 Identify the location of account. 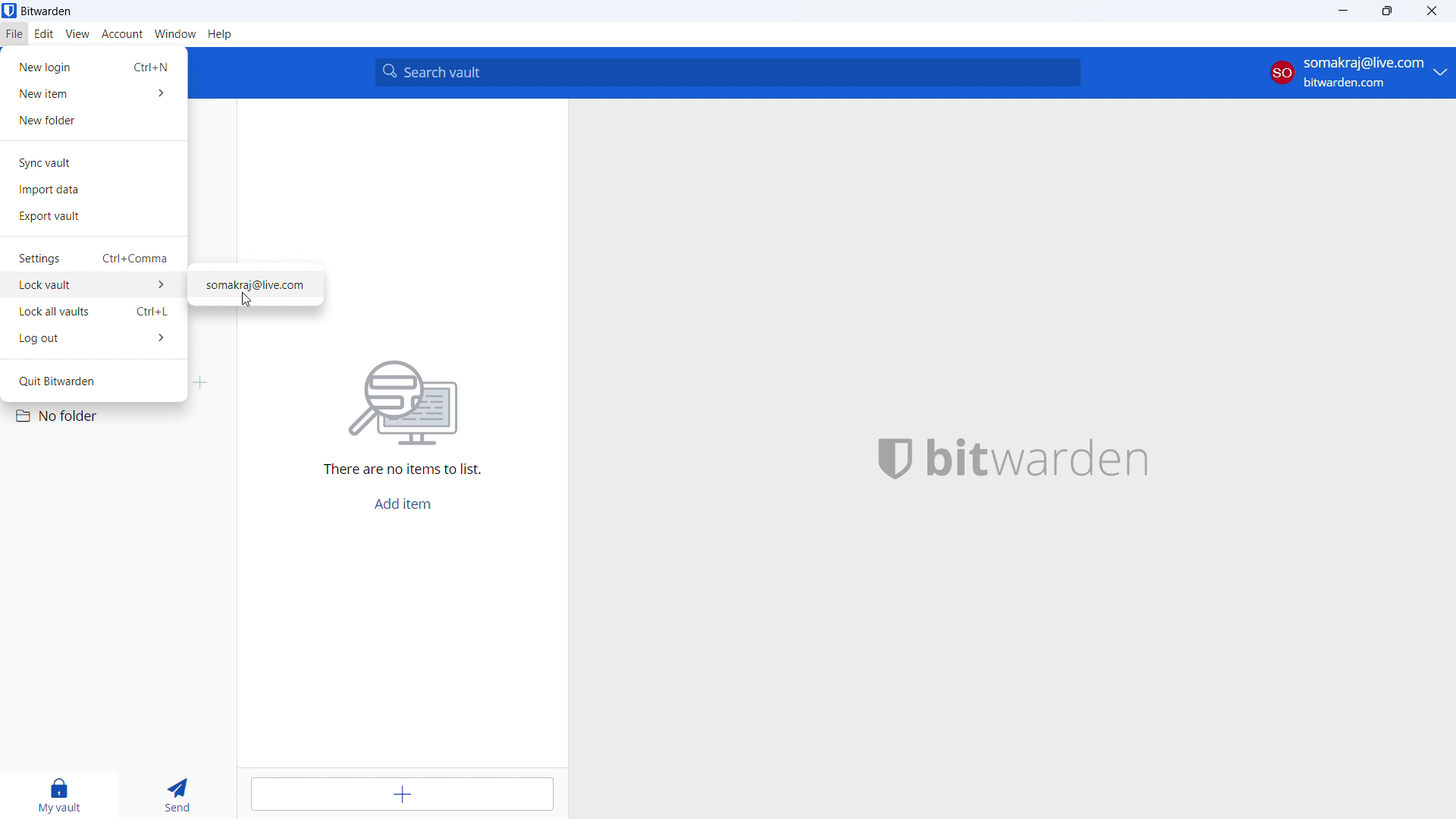
(123, 35).